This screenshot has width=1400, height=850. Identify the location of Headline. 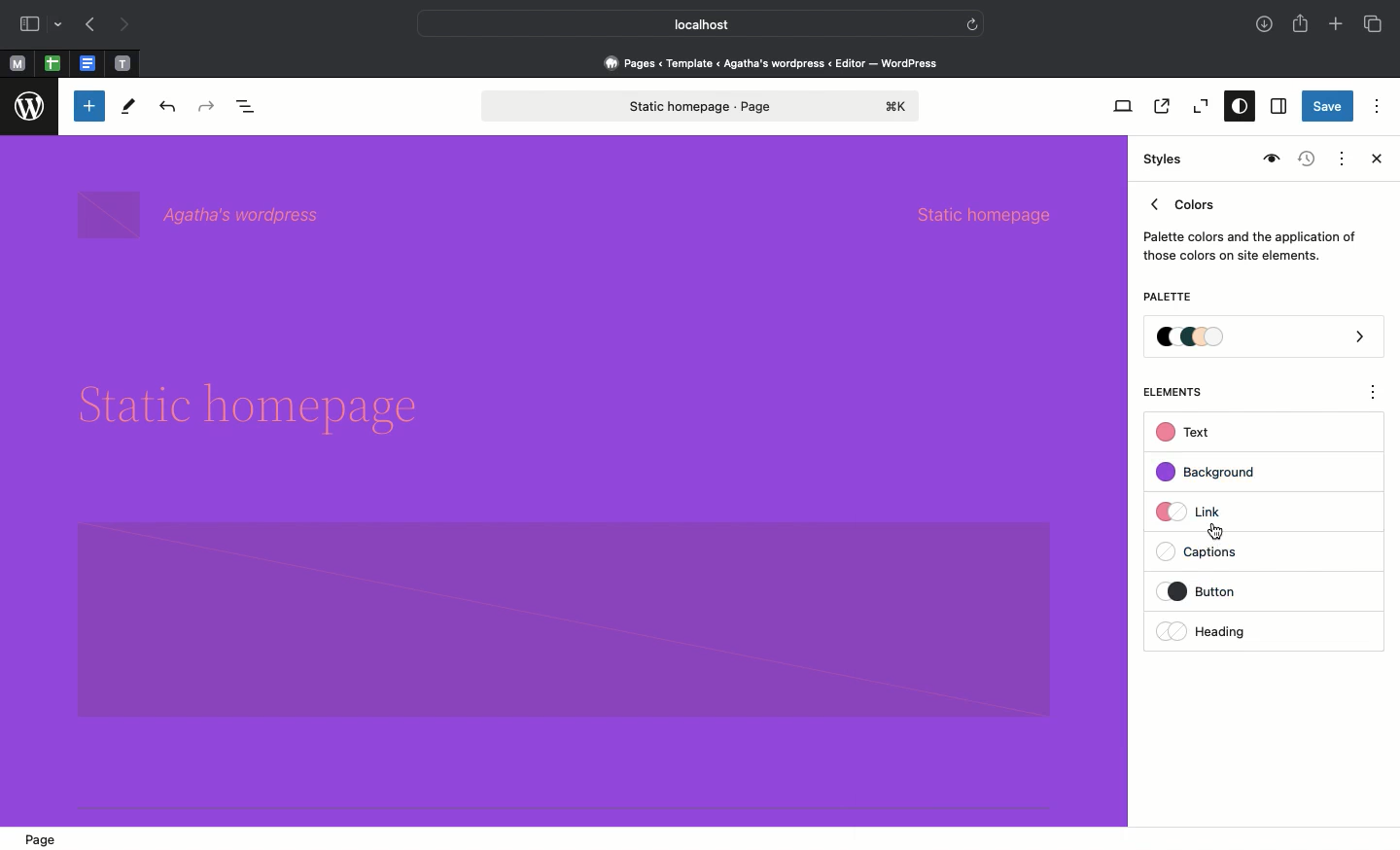
(255, 400).